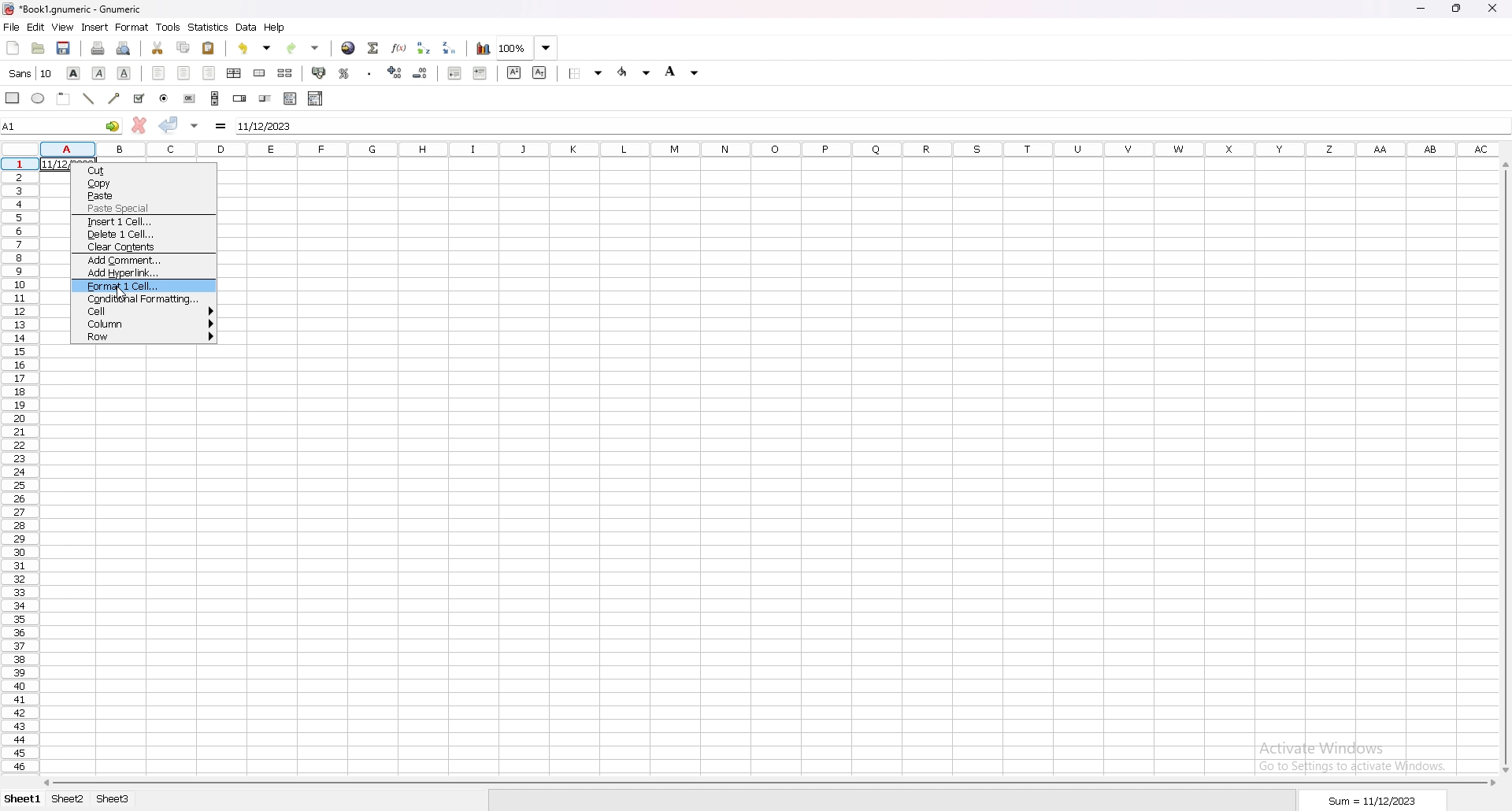 This screenshot has width=1512, height=811. Describe the element at coordinates (195, 125) in the screenshot. I see `accept changes in all cells` at that location.